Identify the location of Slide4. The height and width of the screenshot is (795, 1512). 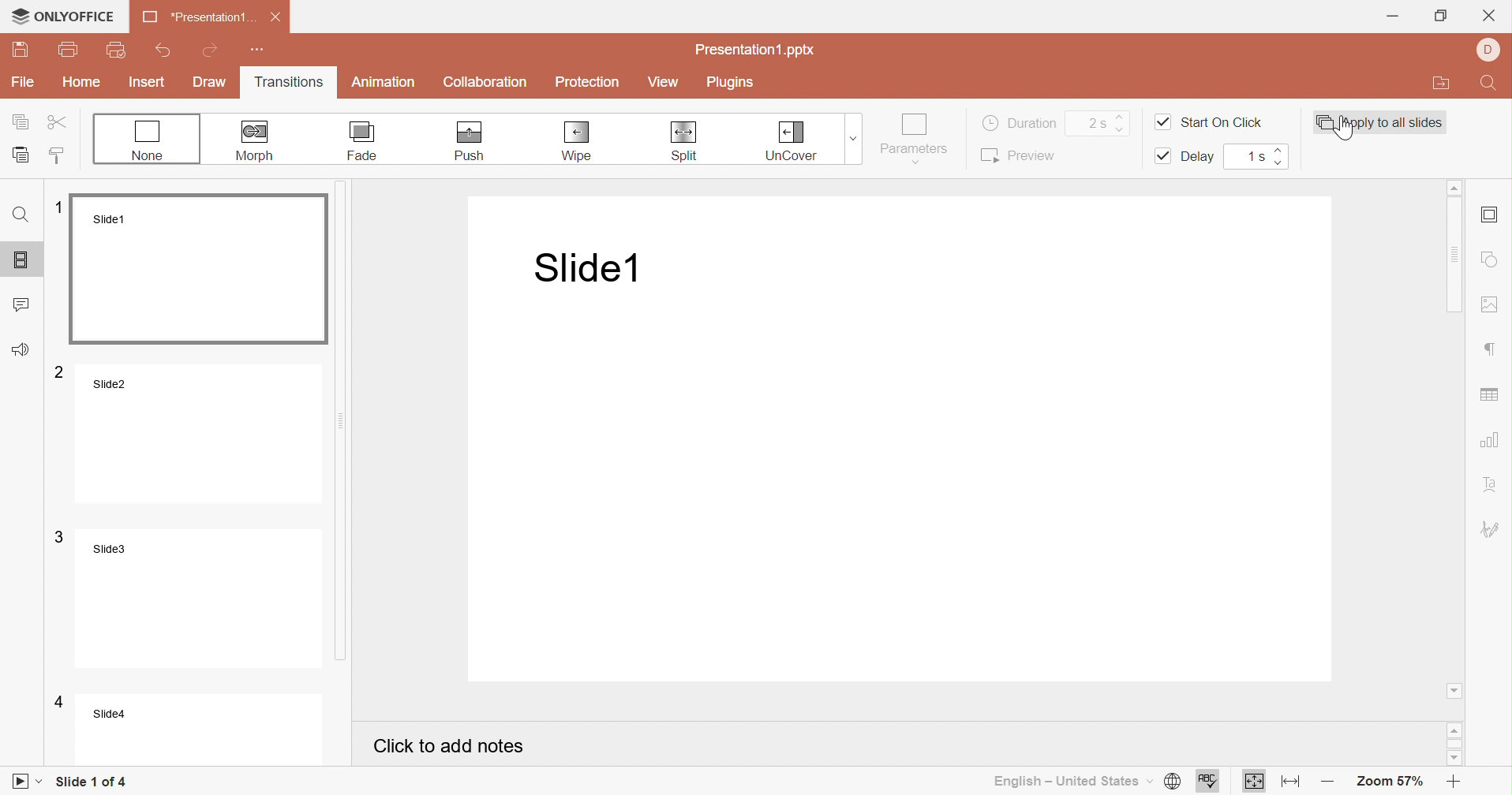
(185, 727).